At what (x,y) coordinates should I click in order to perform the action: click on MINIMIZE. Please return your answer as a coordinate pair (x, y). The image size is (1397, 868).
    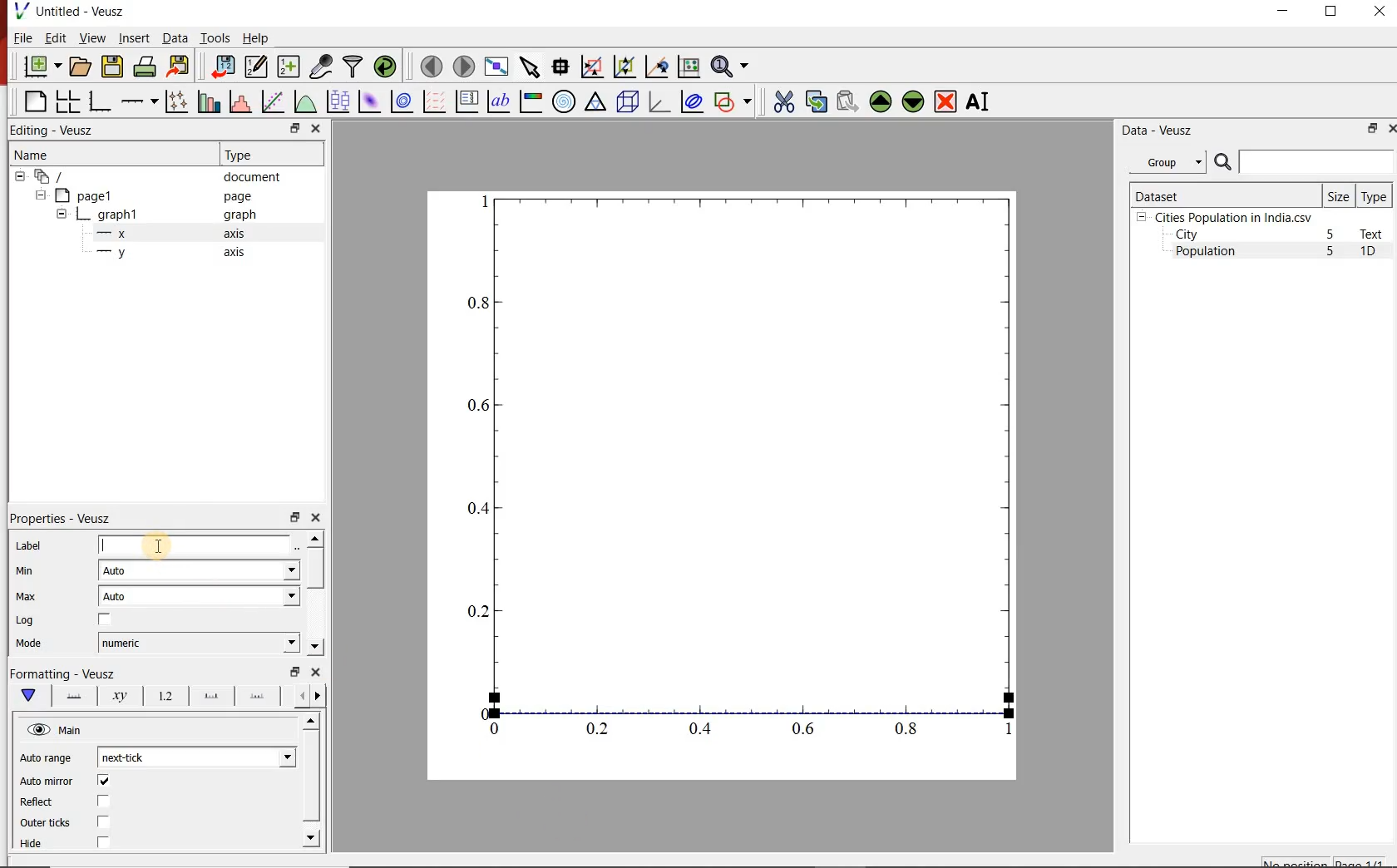
    Looking at the image, I should click on (1284, 11).